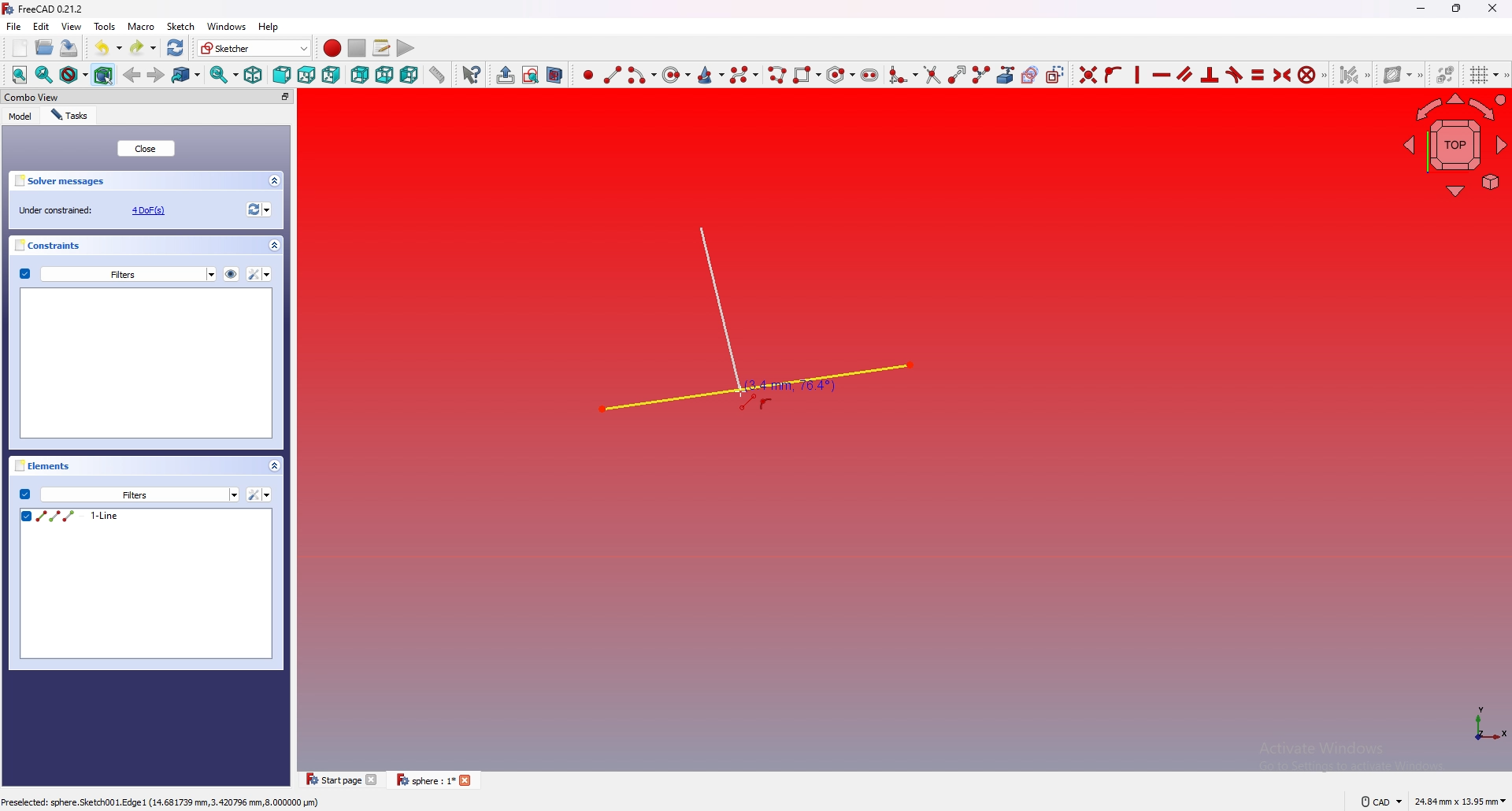 The image size is (1512, 811). Describe the element at coordinates (437, 74) in the screenshot. I see `Measure distance` at that location.